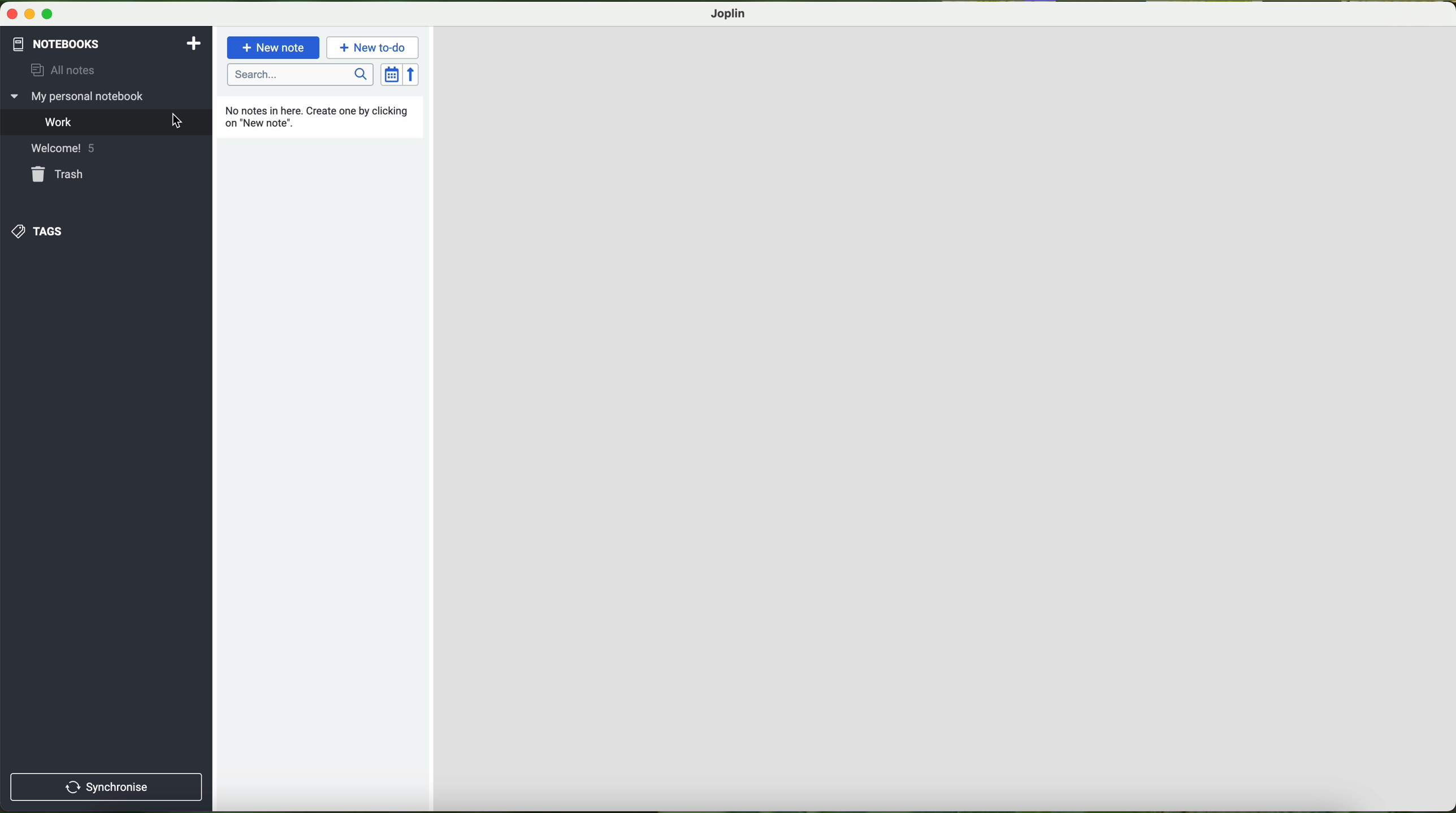 The image size is (1456, 813). Describe the element at coordinates (58, 71) in the screenshot. I see `all notes` at that location.